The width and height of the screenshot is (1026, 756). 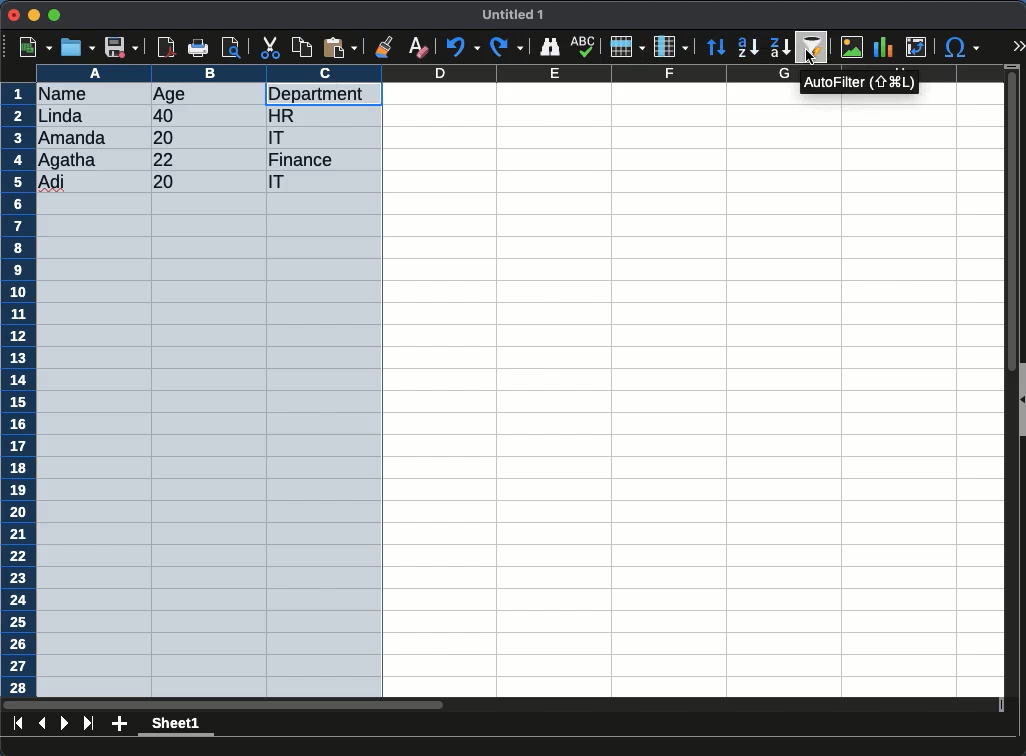 What do you see at coordinates (44, 722) in the screenshot?
I see `previous sheet` at bounding box center [44, 722].